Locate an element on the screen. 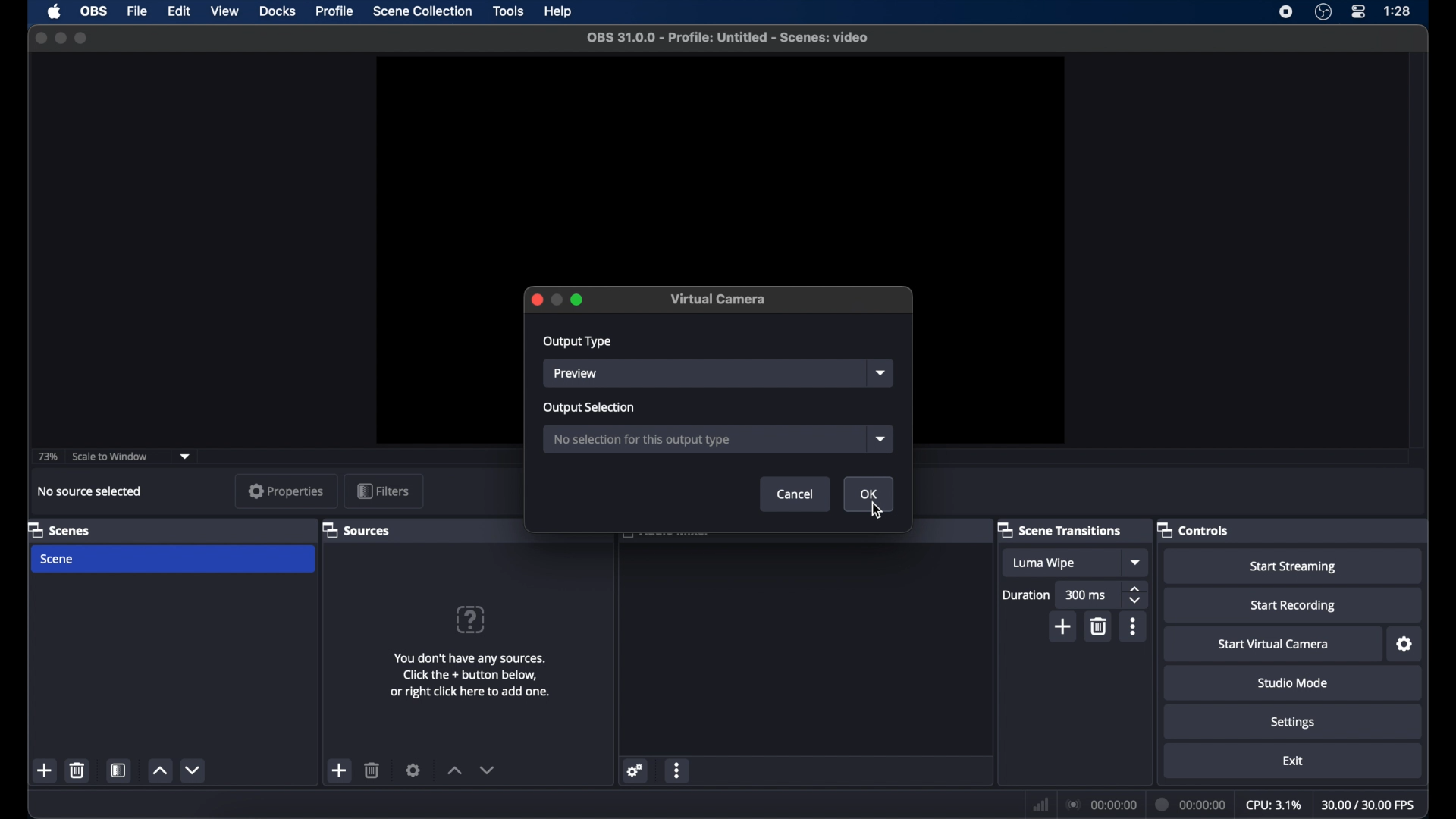  settings is located at coordinates (1403, 644).